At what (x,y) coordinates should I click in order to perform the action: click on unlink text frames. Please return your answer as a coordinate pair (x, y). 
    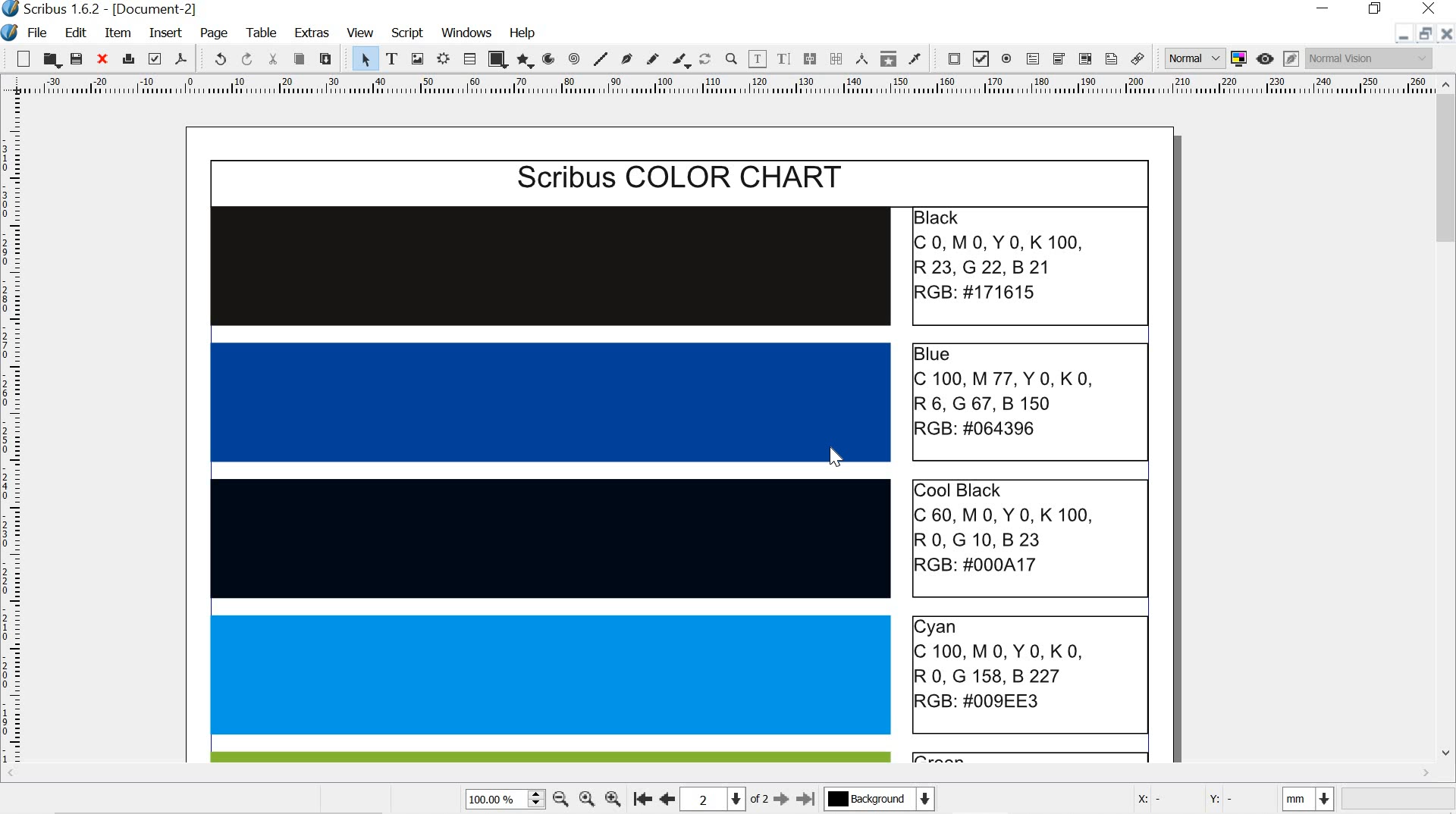
    Looking at the image, I should click on (836, 58).